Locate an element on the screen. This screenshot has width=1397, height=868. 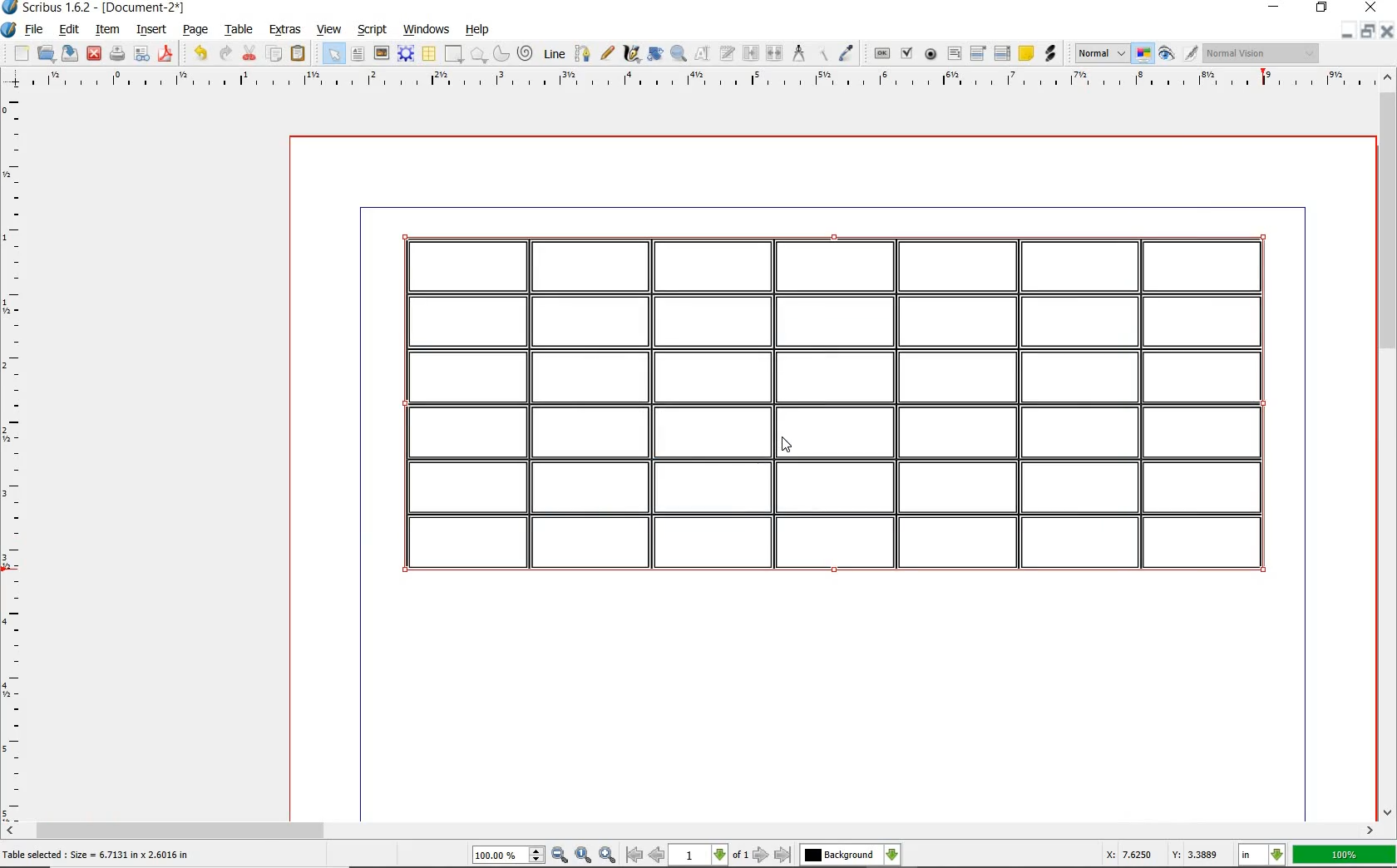
line is located at coordinates (555, 55).